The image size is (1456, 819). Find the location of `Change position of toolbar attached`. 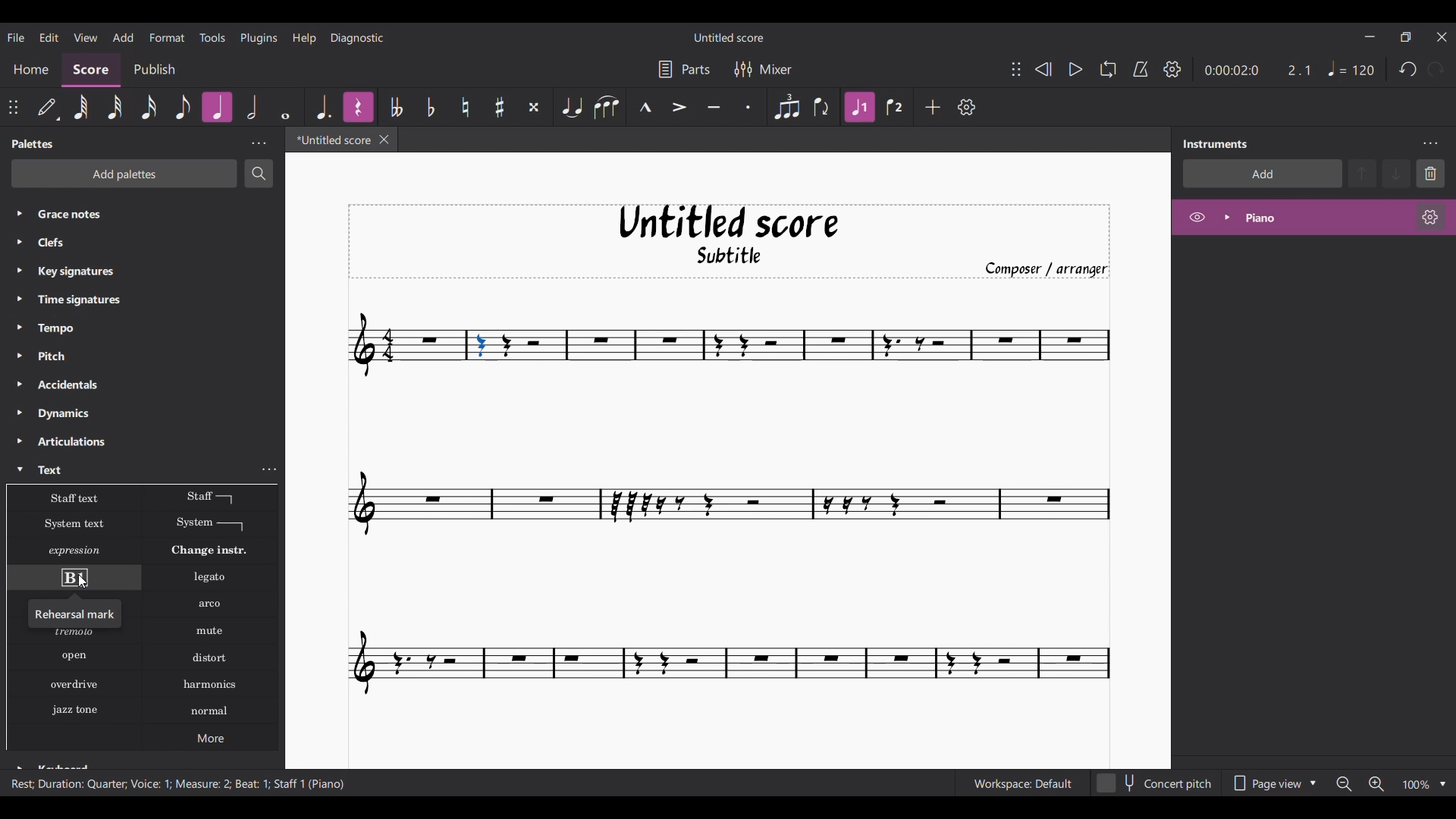

Change position of toolbar attached is located at coordinates (13, 107).